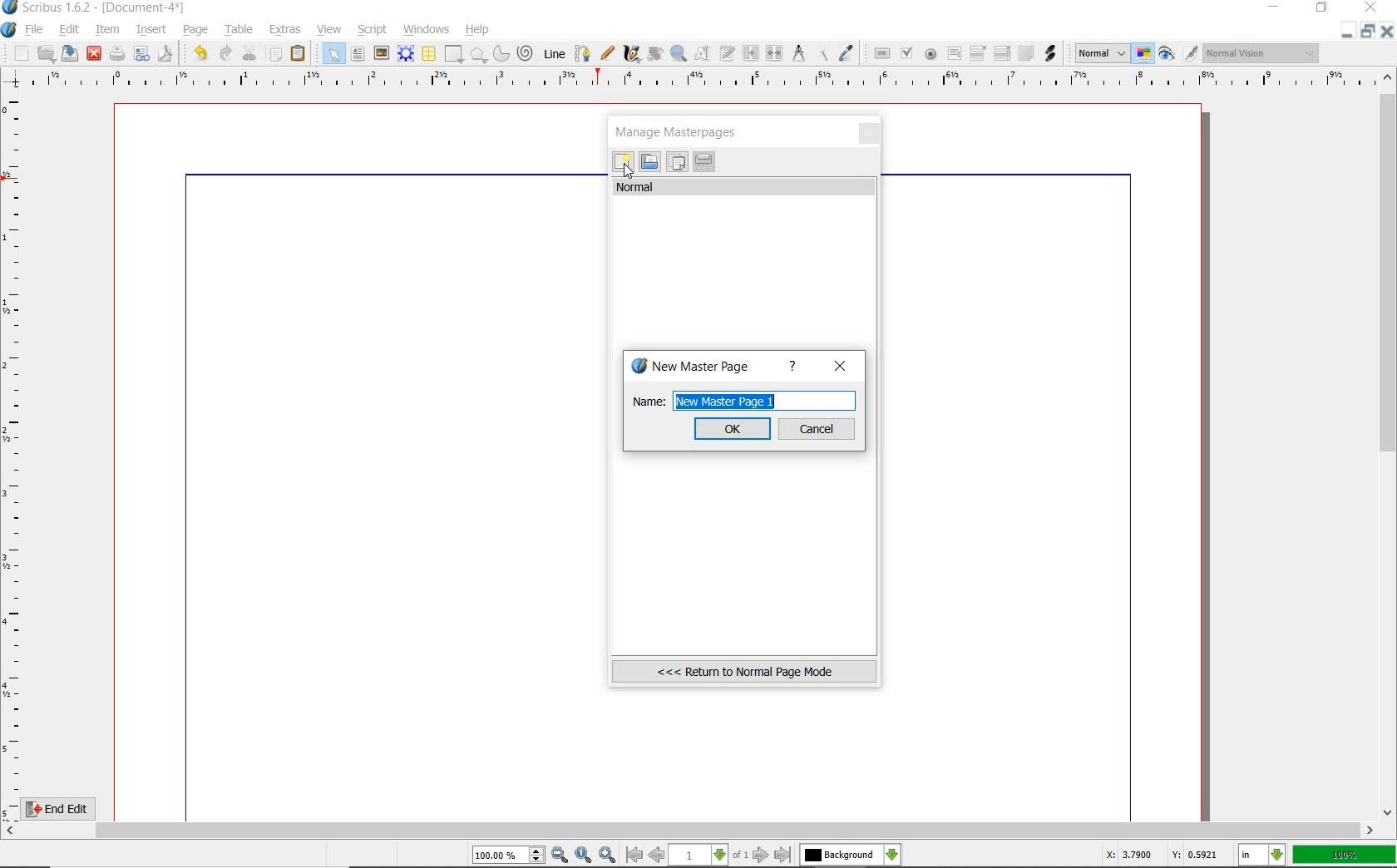 This screenshot has height=868, width=1397. Describe the element at coordinates (142, 55) in the screenshot. I see `preflight verifier` at that location.